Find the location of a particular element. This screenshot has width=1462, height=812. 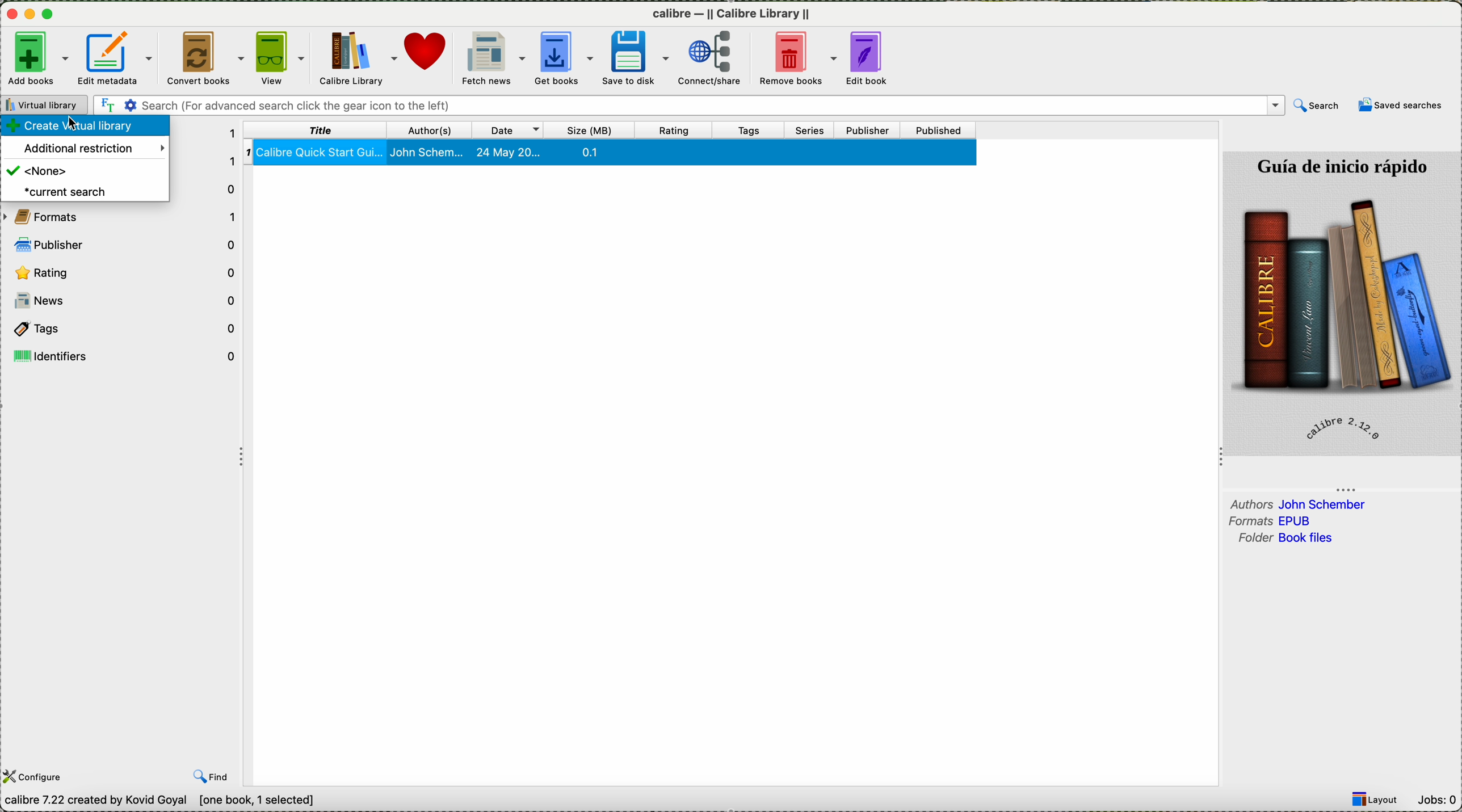

date is located at coordinates (514, 129).